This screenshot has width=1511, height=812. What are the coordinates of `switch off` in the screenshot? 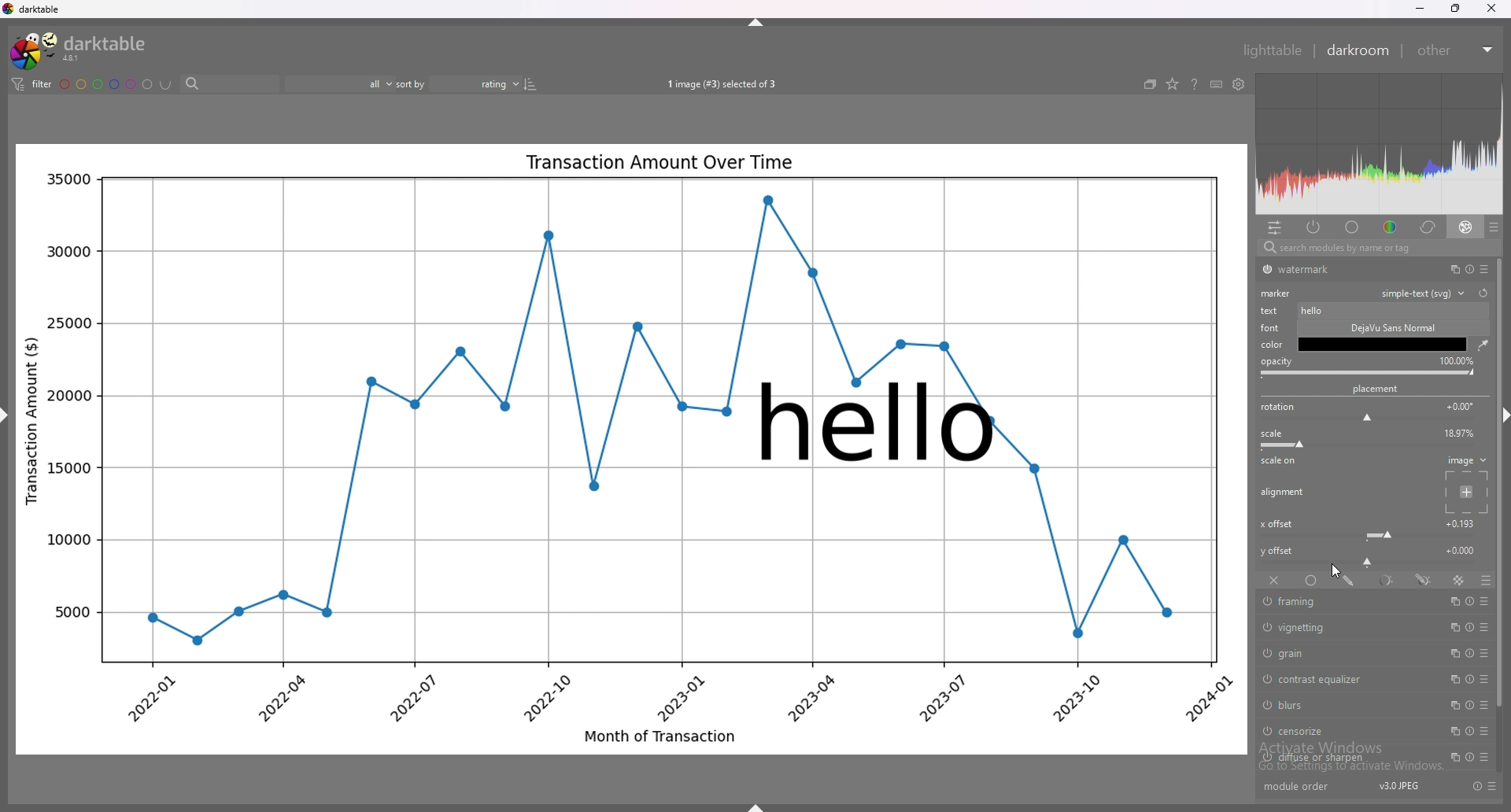 It's located at (1265, 758).